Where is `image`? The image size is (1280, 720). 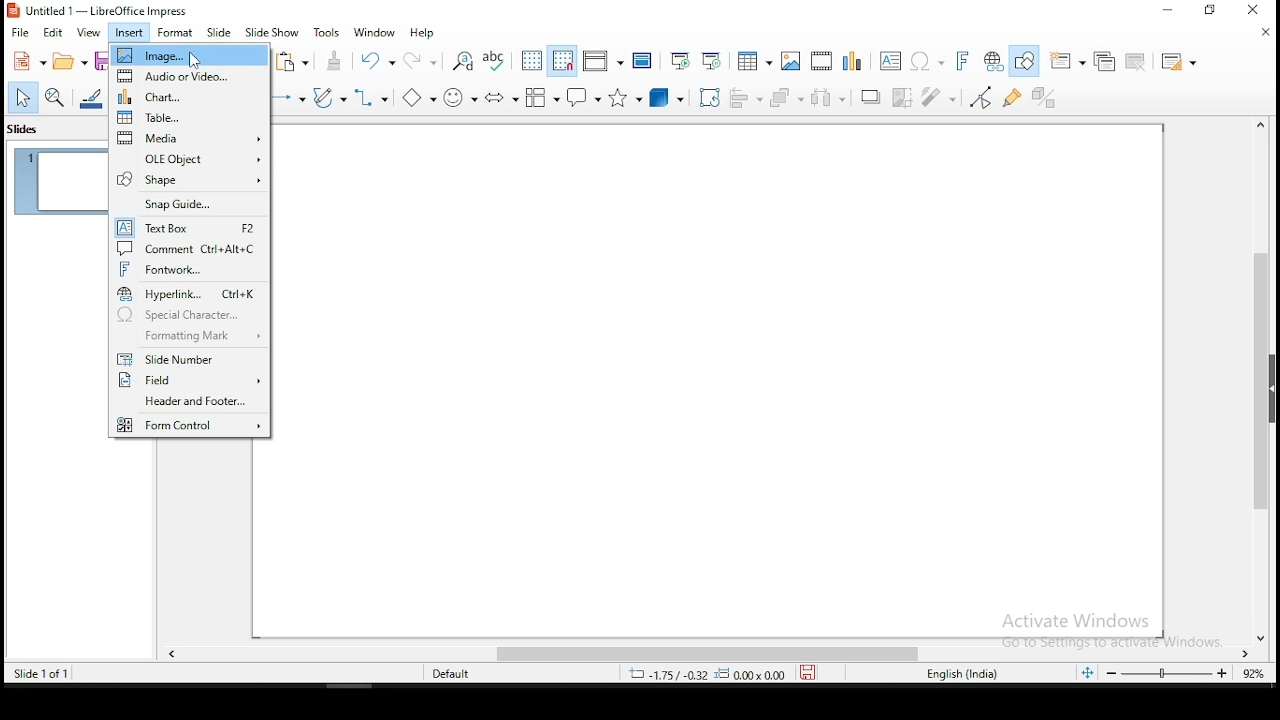 image is located at coordinates (789, 61).